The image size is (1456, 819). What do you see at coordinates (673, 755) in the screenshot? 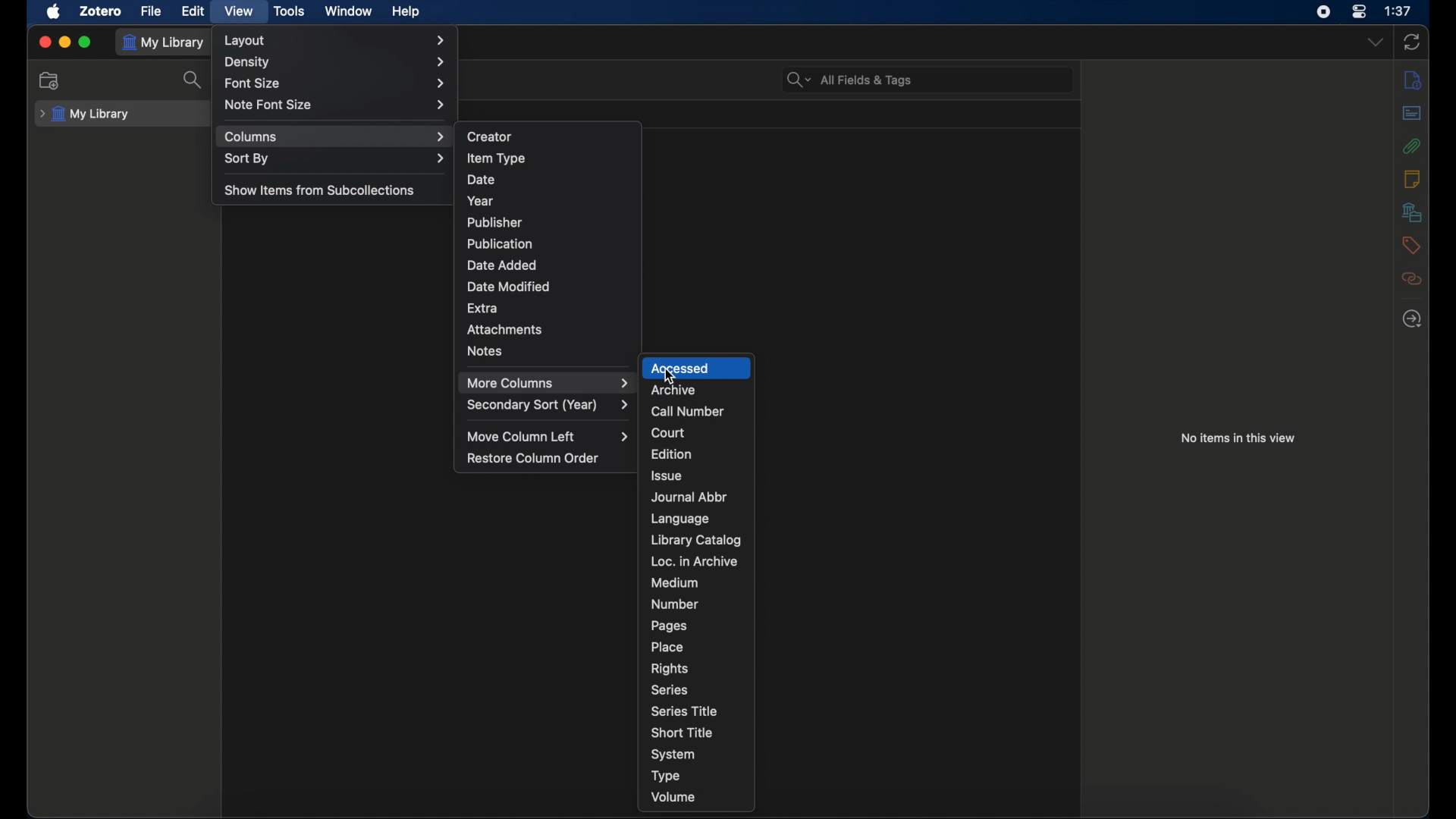
I see `system` at bounding box center [673, 755].